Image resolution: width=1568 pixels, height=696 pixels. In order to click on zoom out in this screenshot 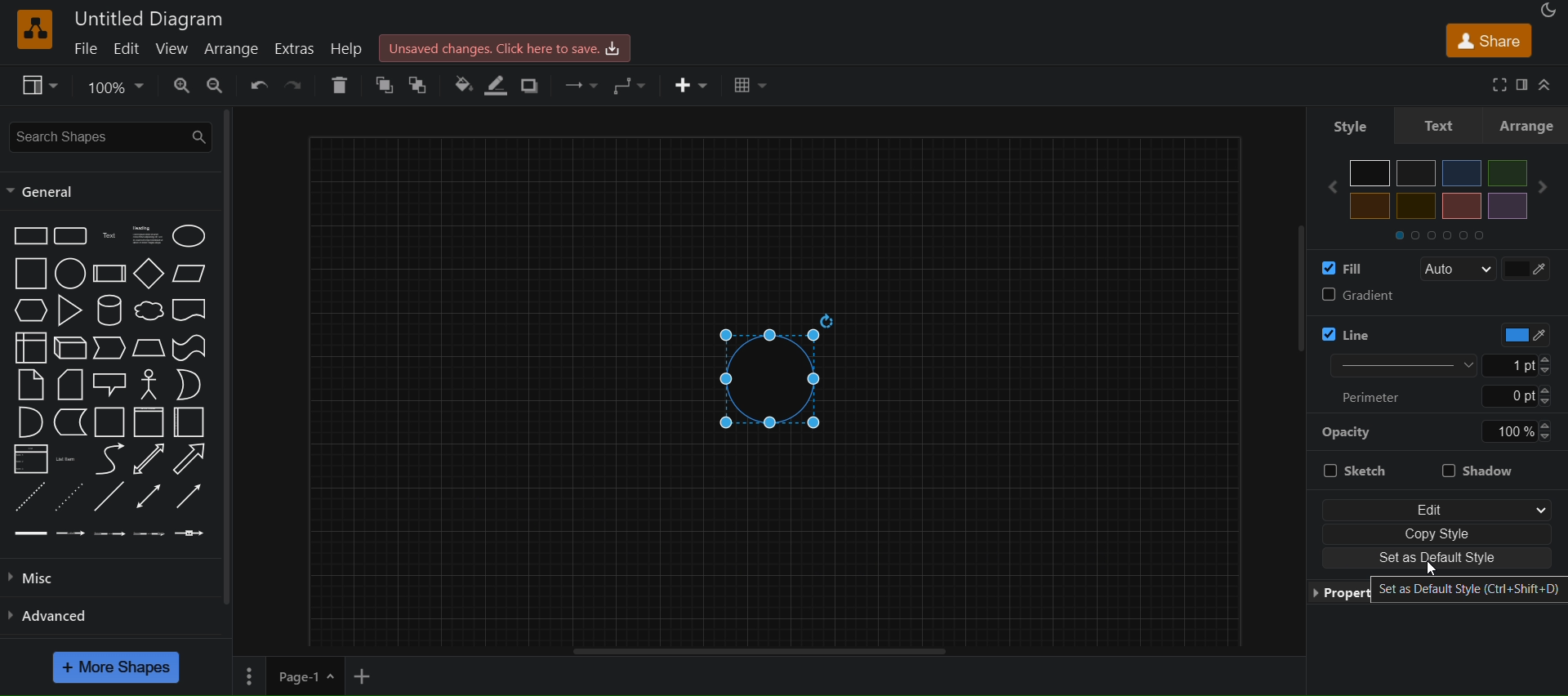, I will do `click(219, 86)`.